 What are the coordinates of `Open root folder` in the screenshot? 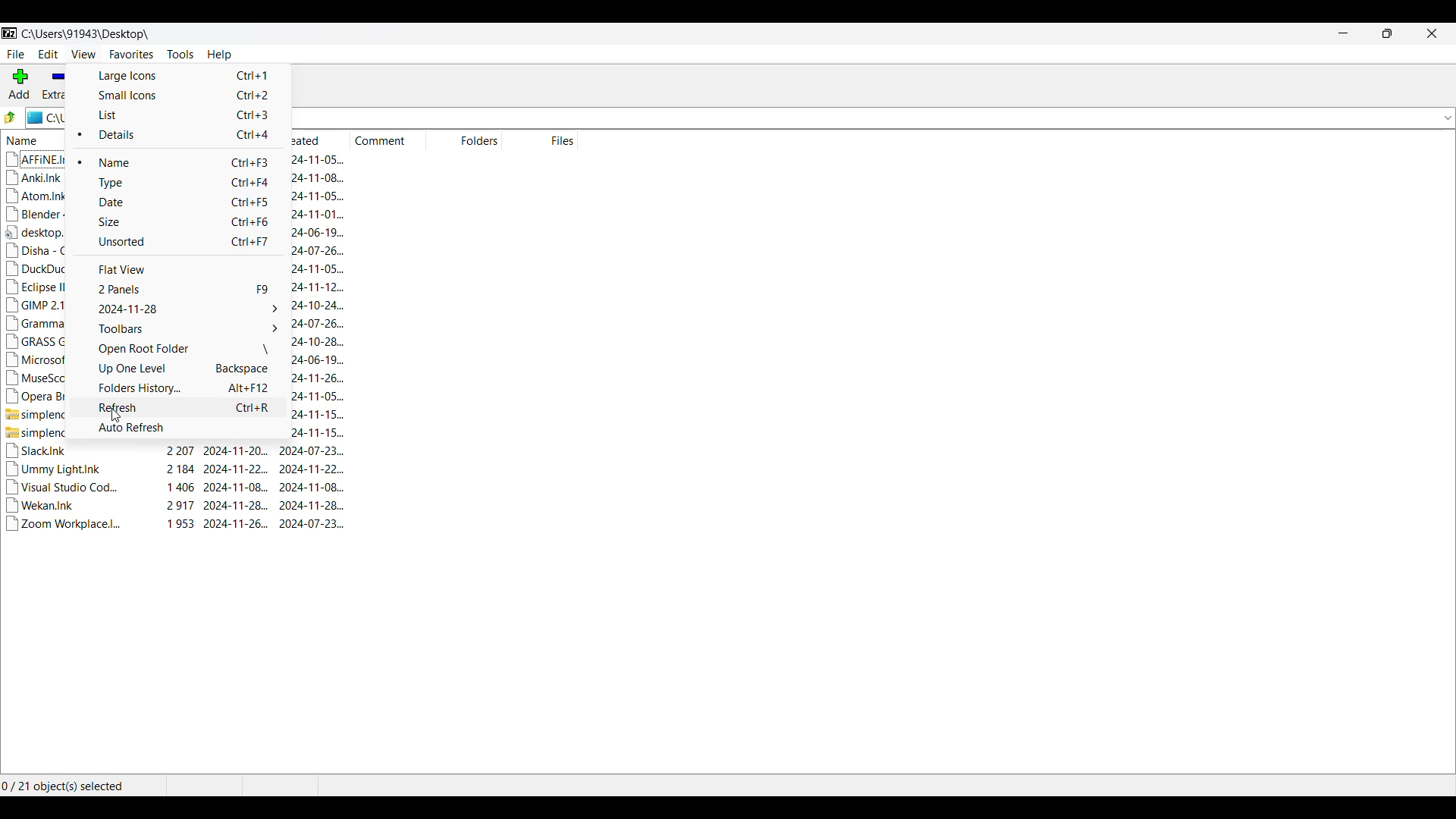 It's located at (176, 349).